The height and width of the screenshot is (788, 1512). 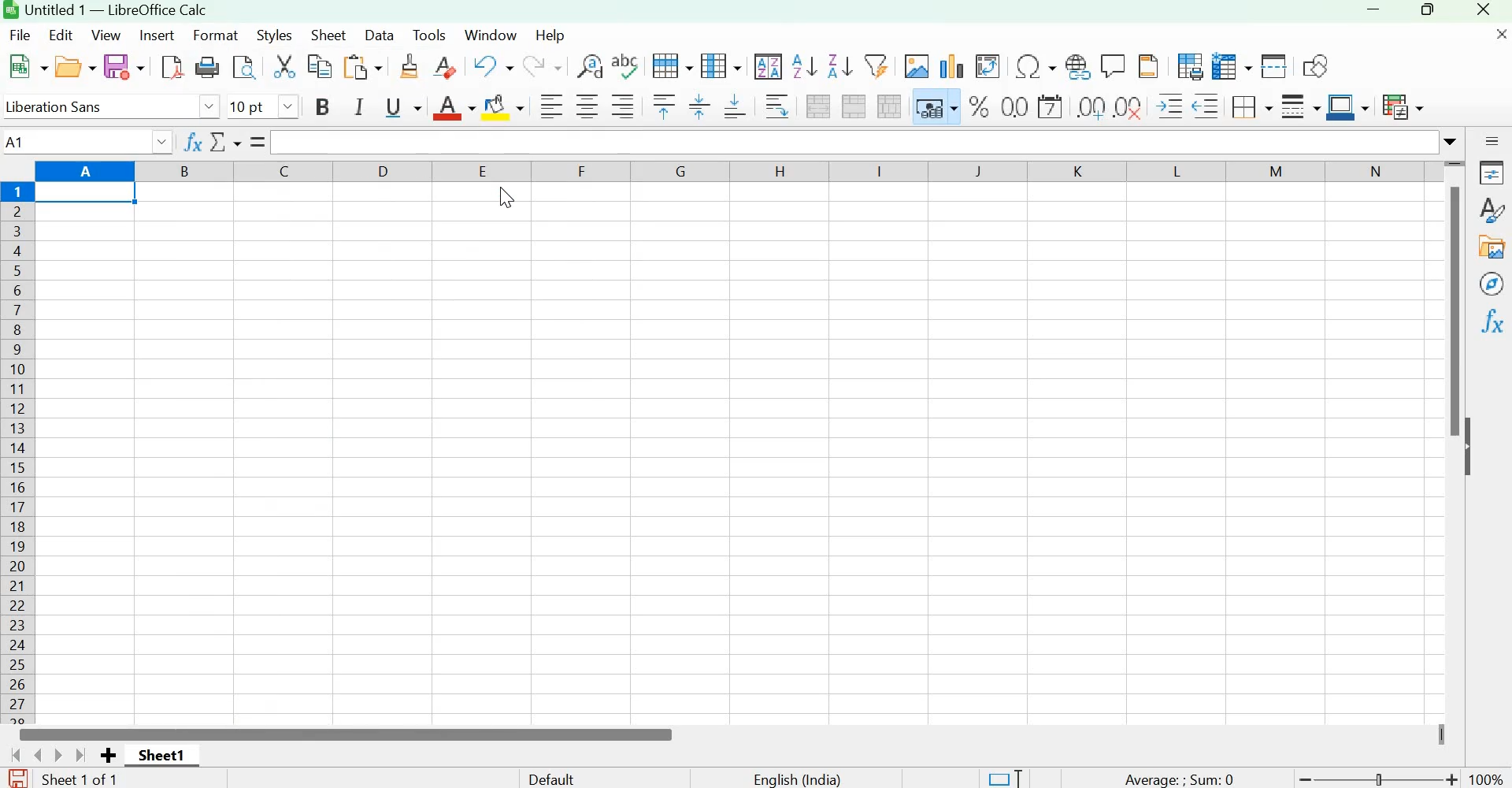 I want to click on Expand formula bar, so click(x=1453, y=141).